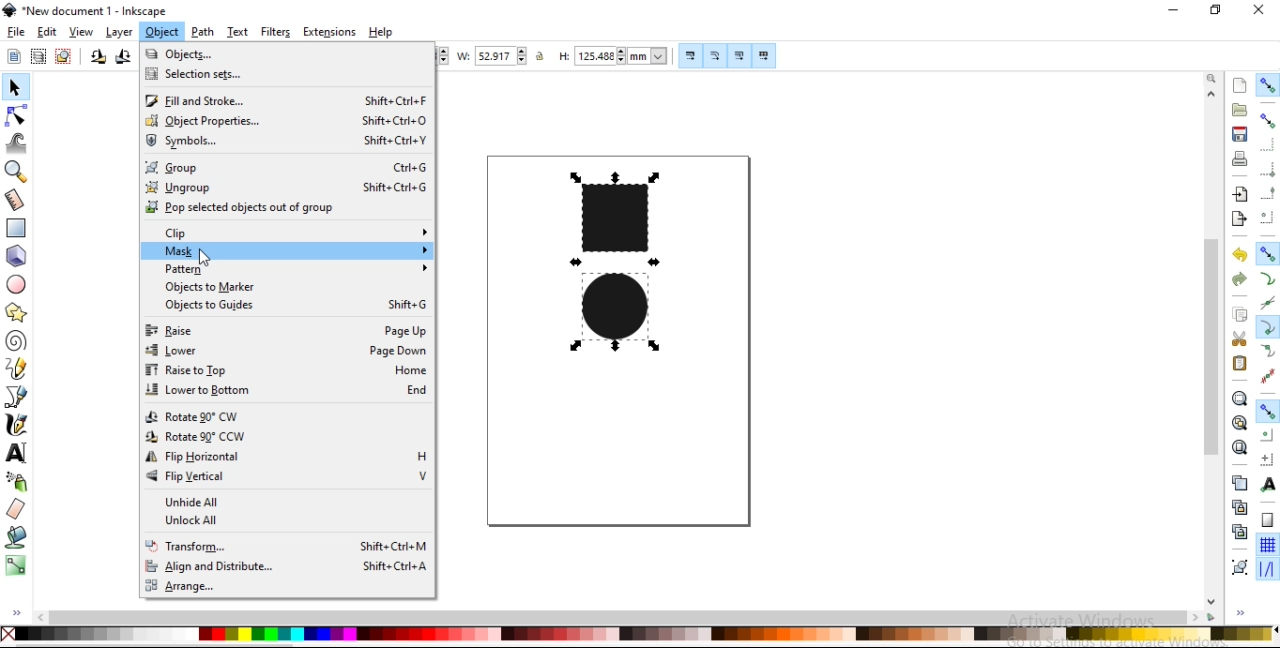 This screenshot has height=648, width=1280. Describe the element at coordinates (1216, 10) in the screenshot. I see `restore down` at that location.